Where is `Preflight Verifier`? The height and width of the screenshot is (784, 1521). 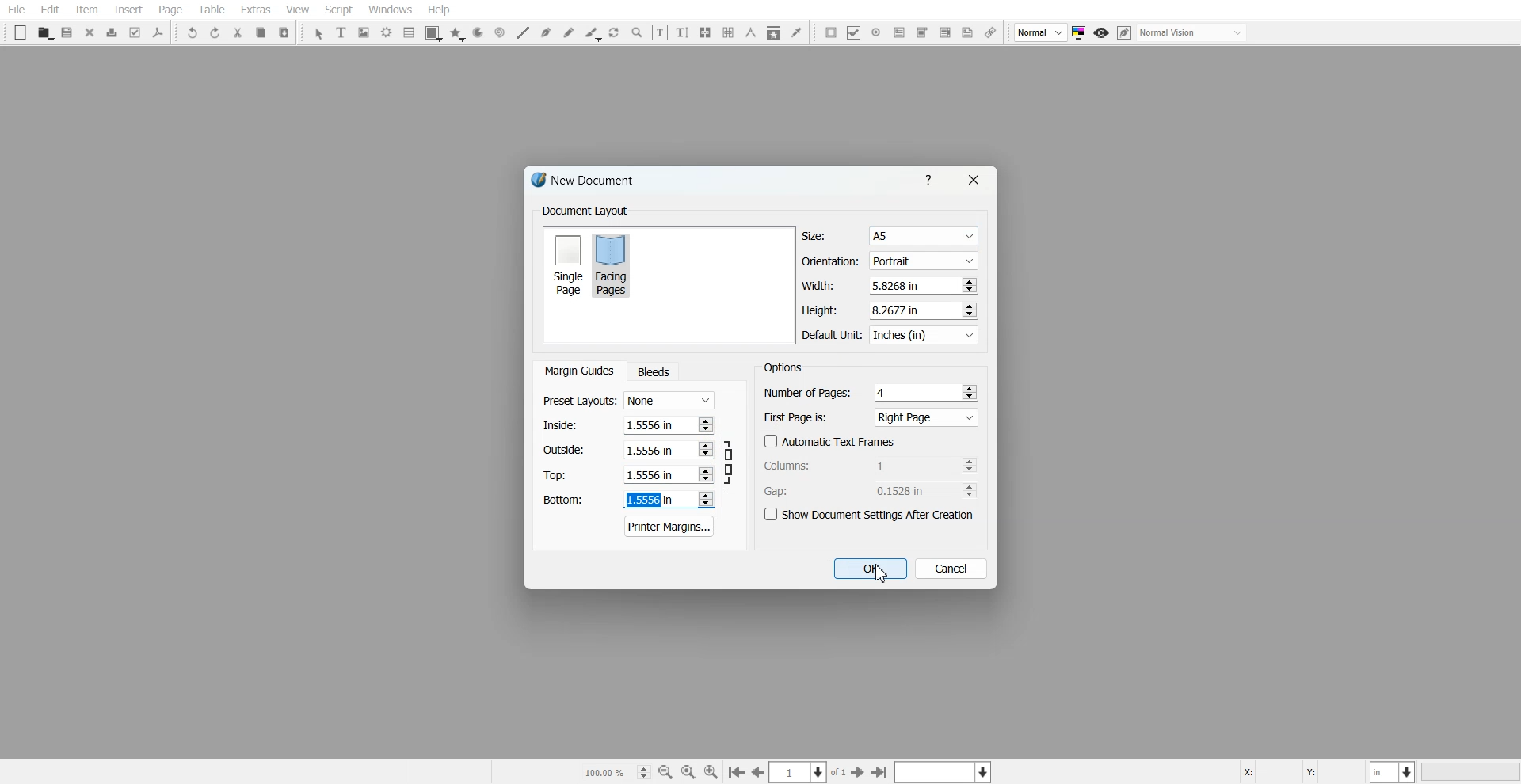 Preflight Verifier is located at coordinates (136, 32).